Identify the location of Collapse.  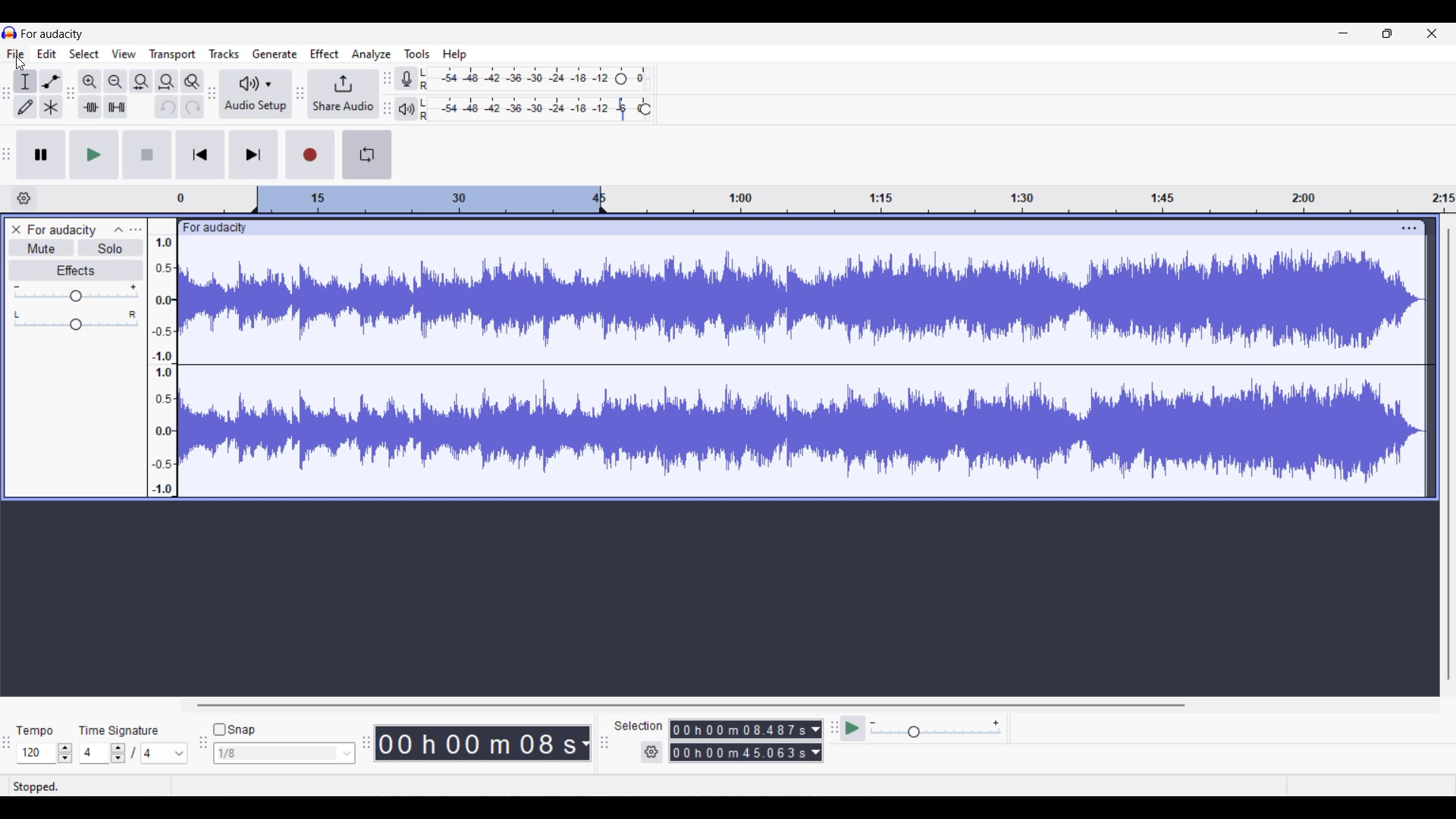
(119, 230).